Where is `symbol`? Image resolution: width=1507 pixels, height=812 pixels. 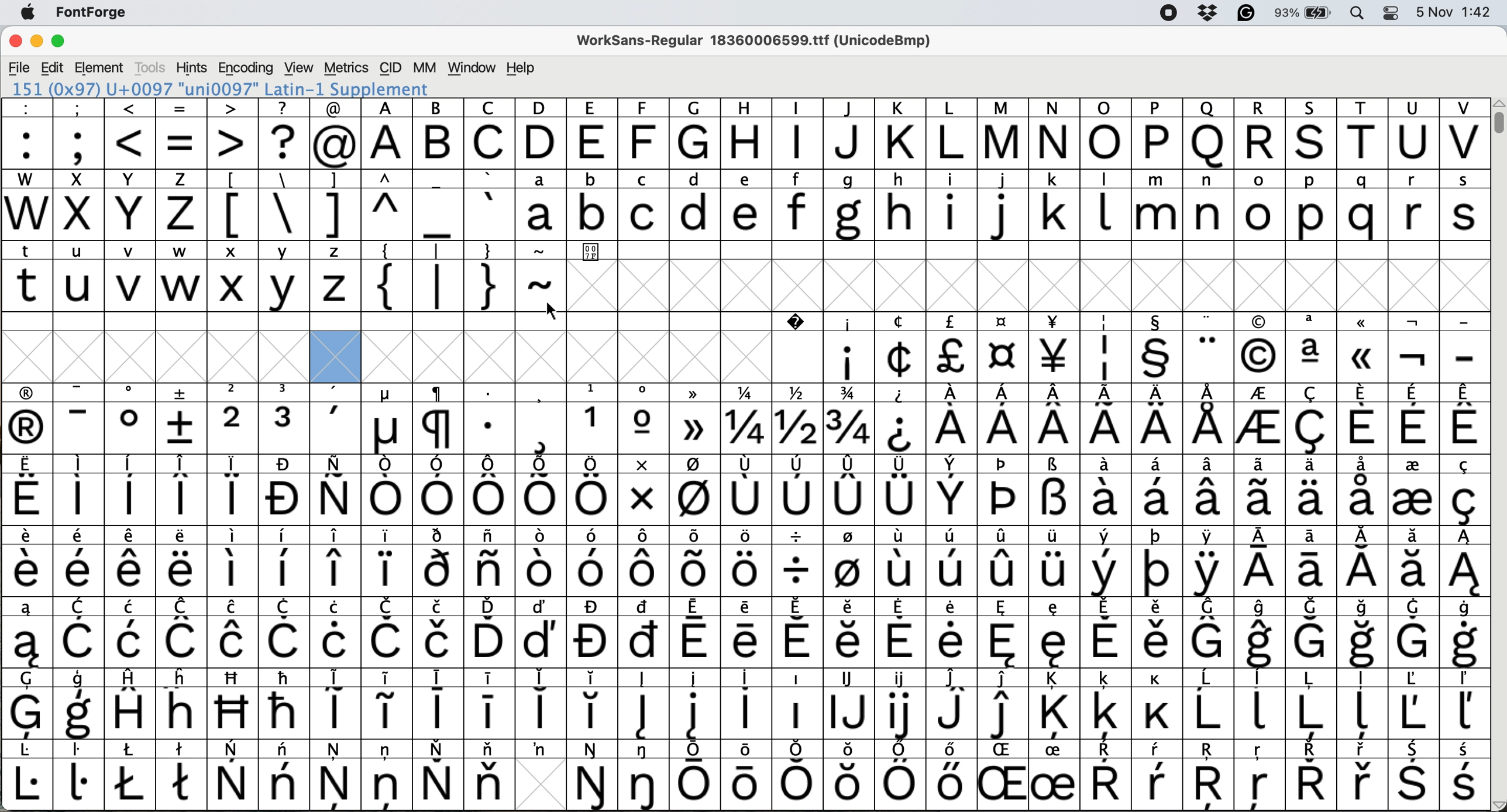 symbol is located at coordinates (697, 703).